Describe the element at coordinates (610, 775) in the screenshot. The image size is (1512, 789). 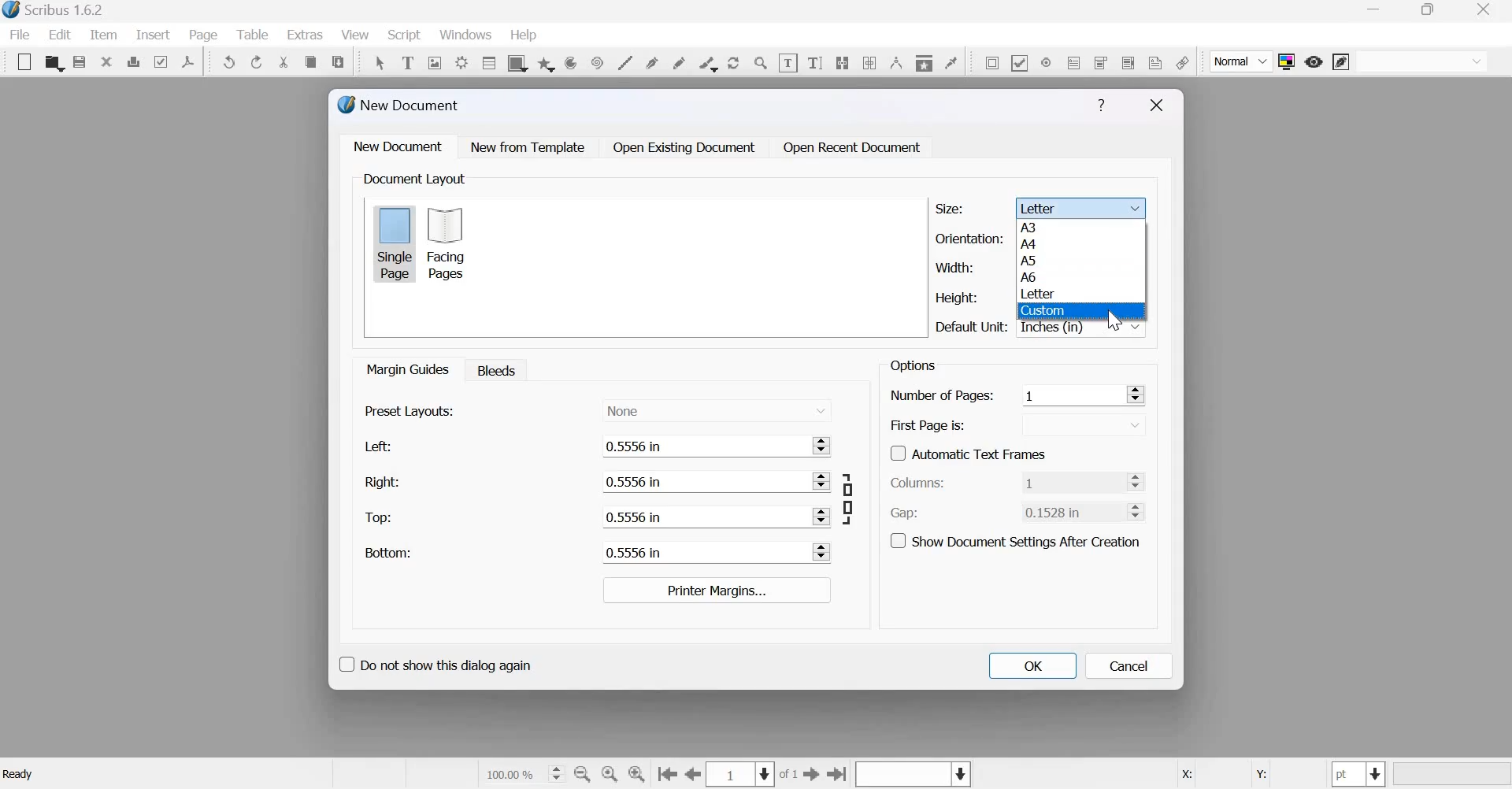
I see `zoom to 100 %` at that location.